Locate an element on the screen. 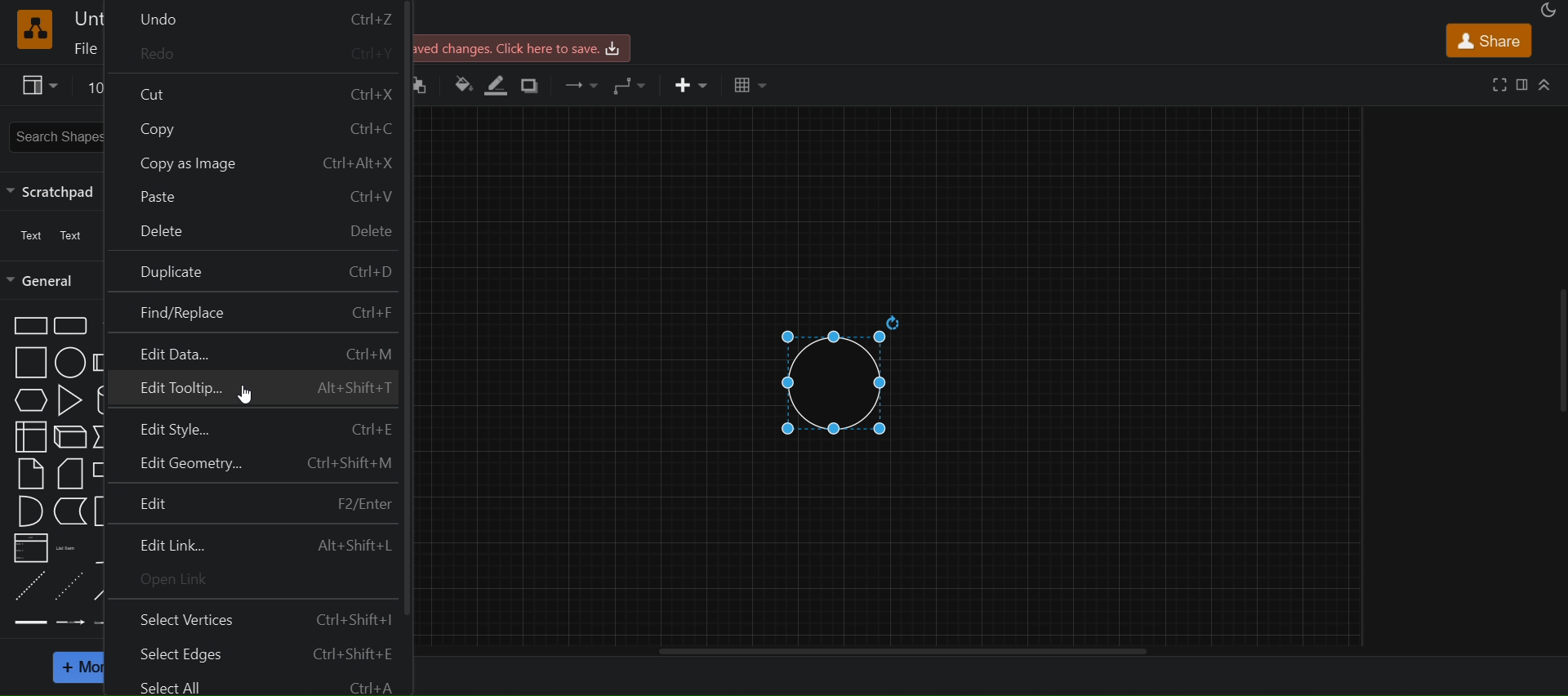  select all is located at coordinates (250, 684).